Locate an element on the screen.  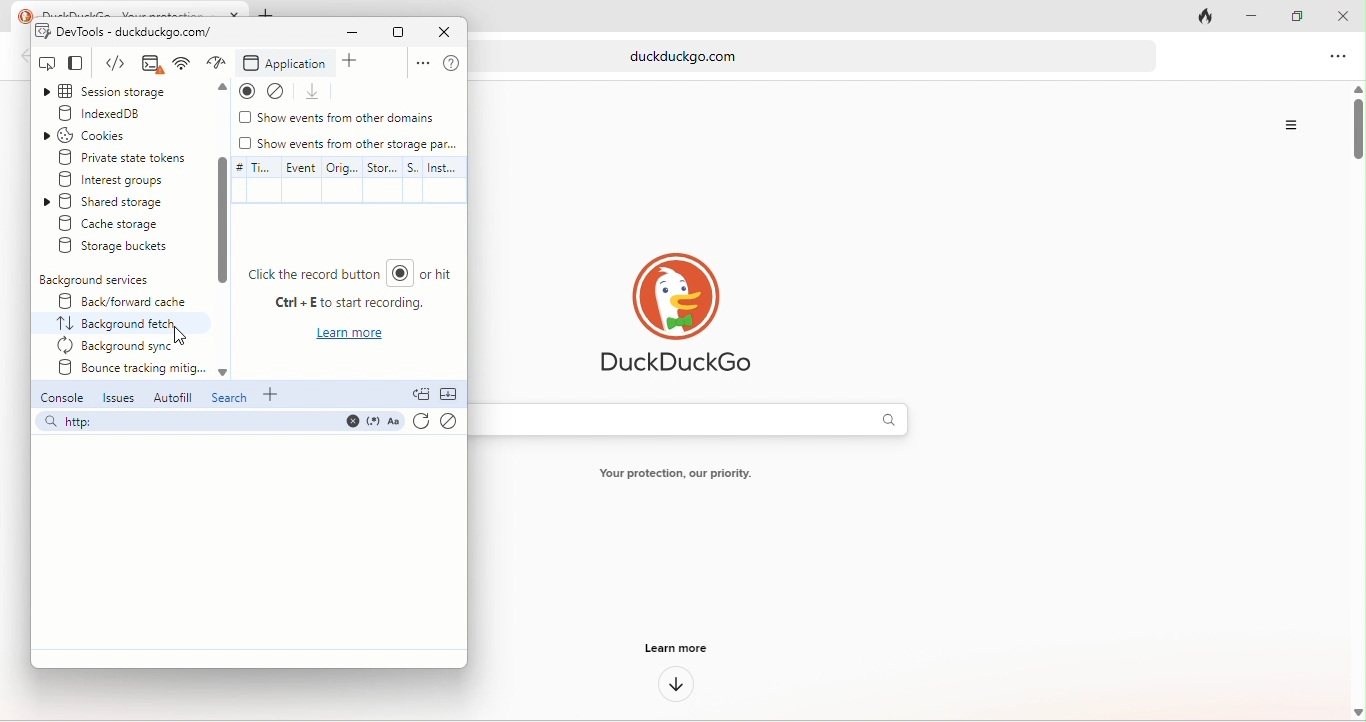
storage key is located at coordinates (383, 179).